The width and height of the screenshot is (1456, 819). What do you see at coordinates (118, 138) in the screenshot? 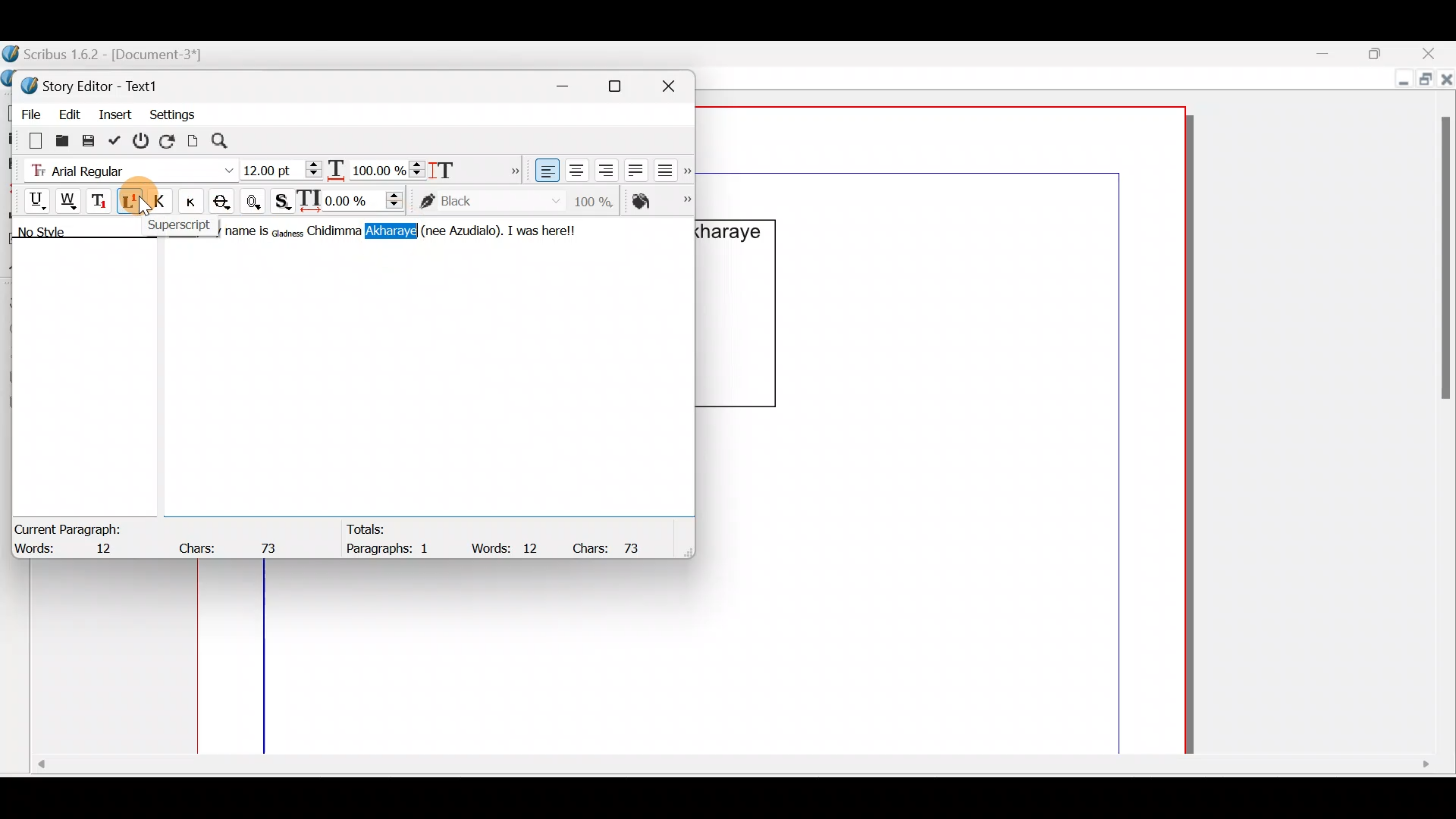
I see `Update text frame and exit` at bounding box center [118, 138].